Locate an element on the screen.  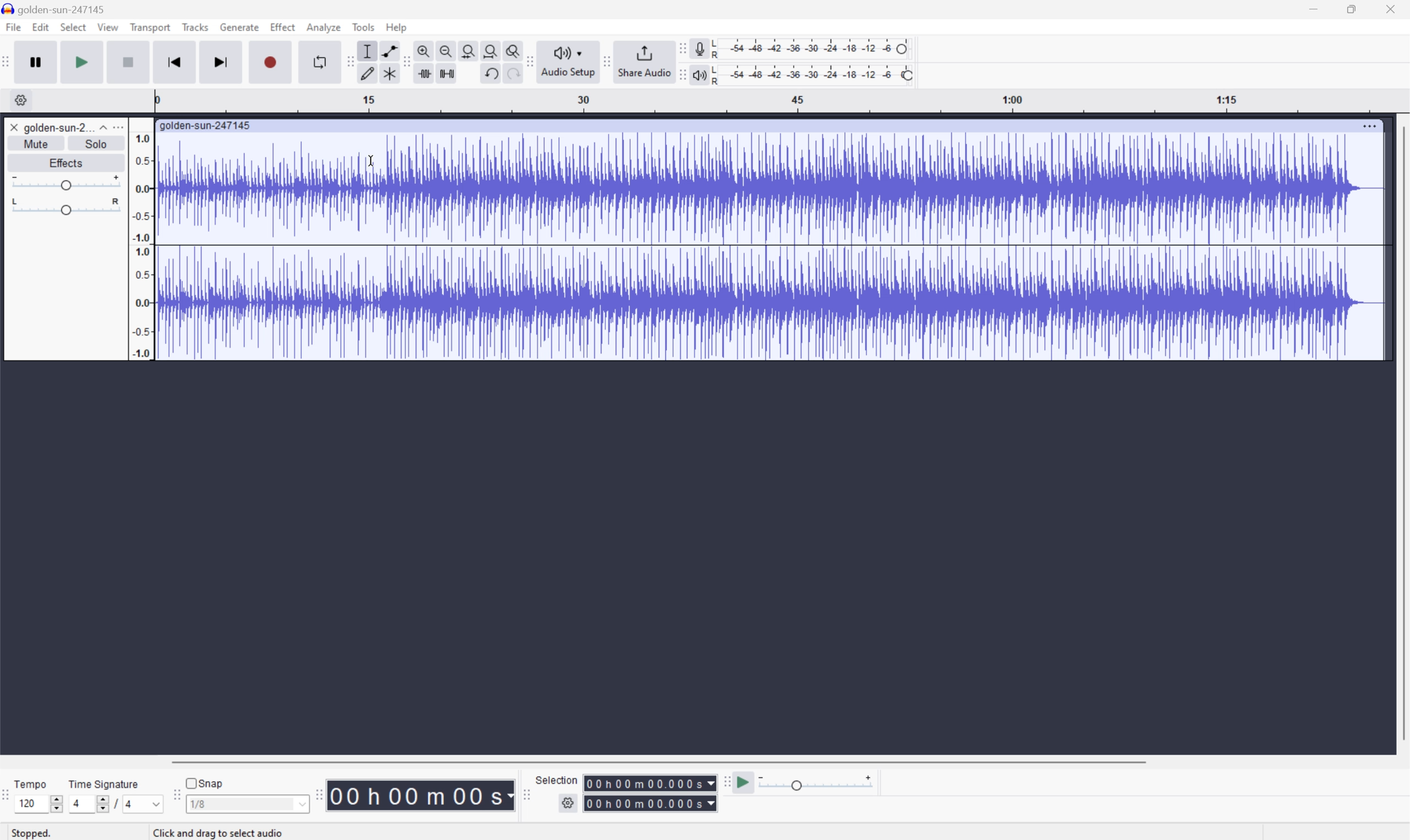
View is located at coordinates (109, 29).